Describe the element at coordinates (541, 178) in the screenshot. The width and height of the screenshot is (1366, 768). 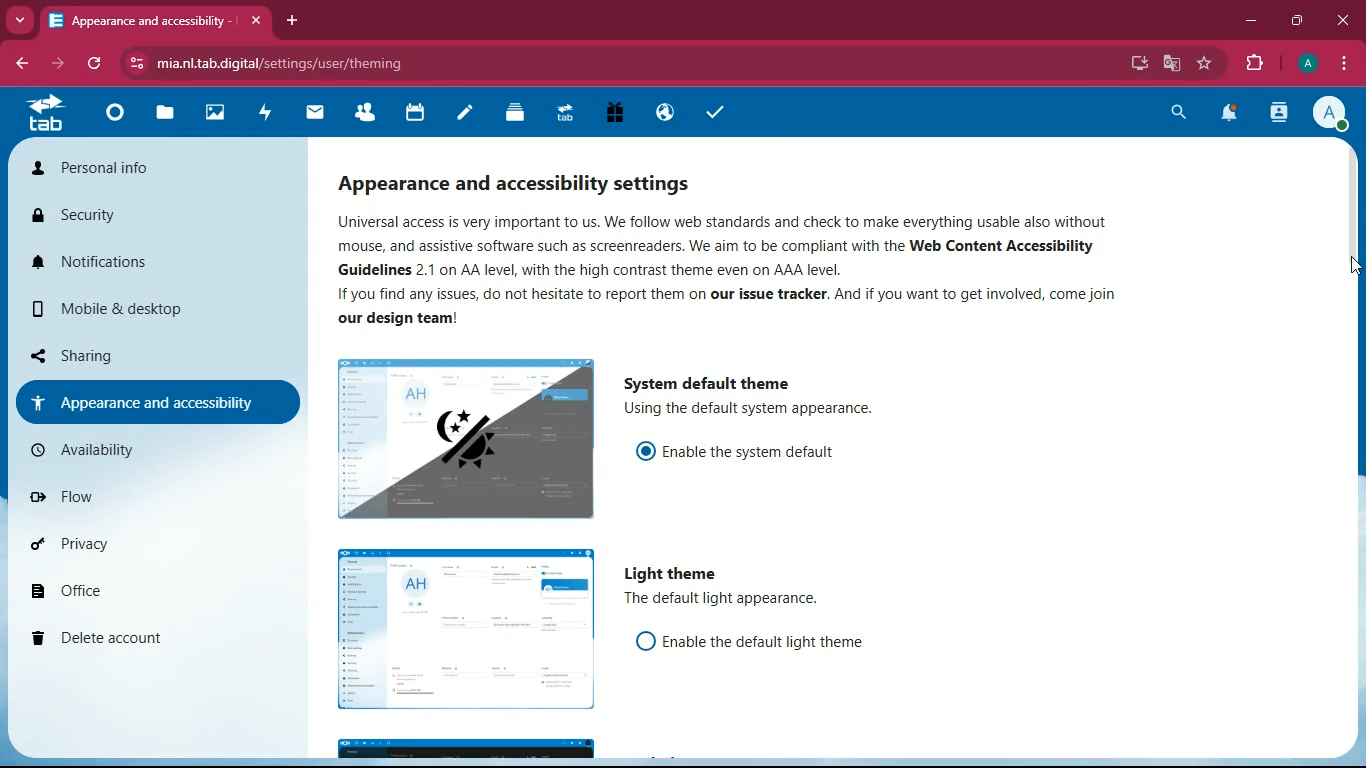
I see `appearance` at that location.